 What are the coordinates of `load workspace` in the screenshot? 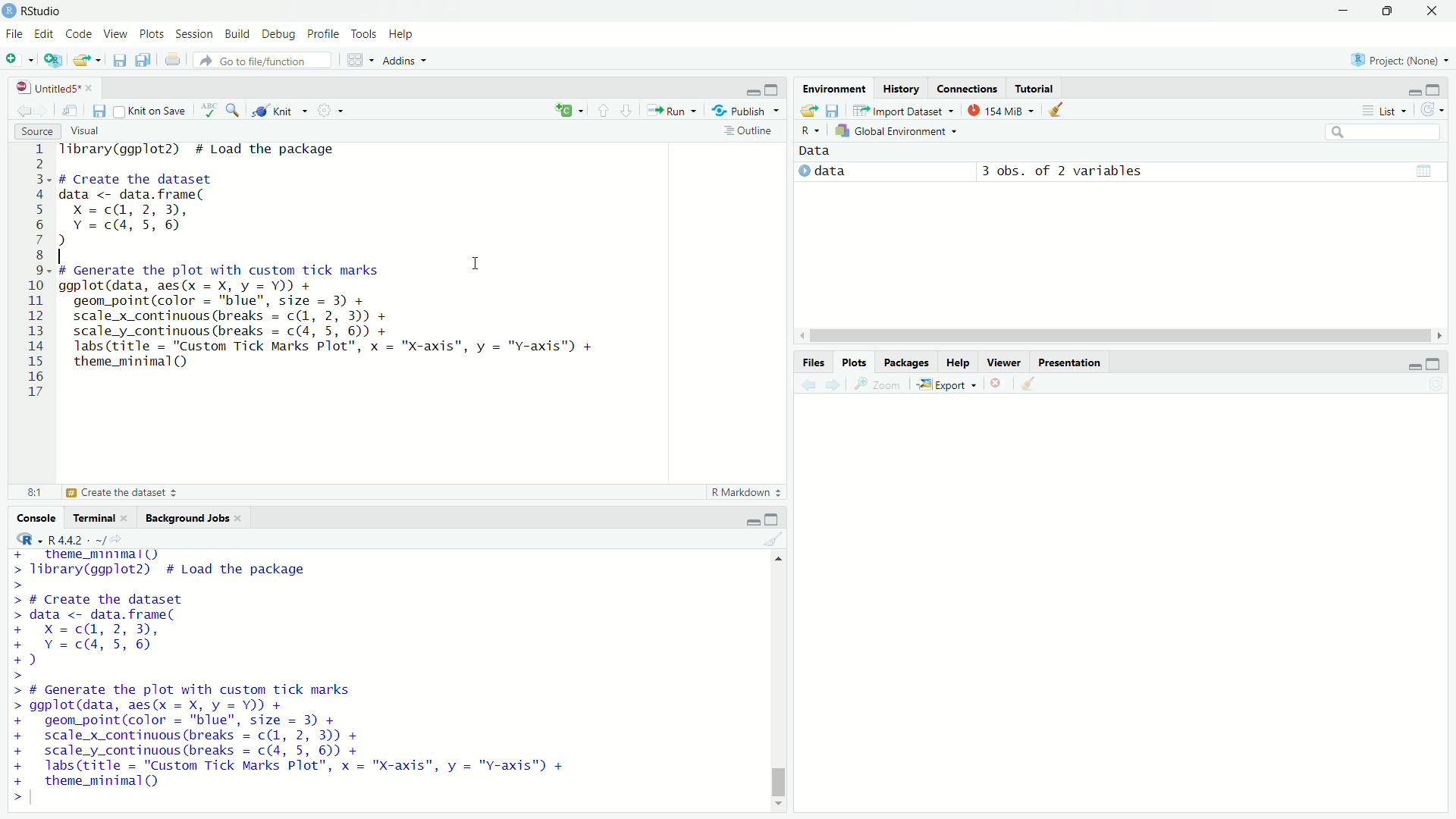 It's located at (808, 111).